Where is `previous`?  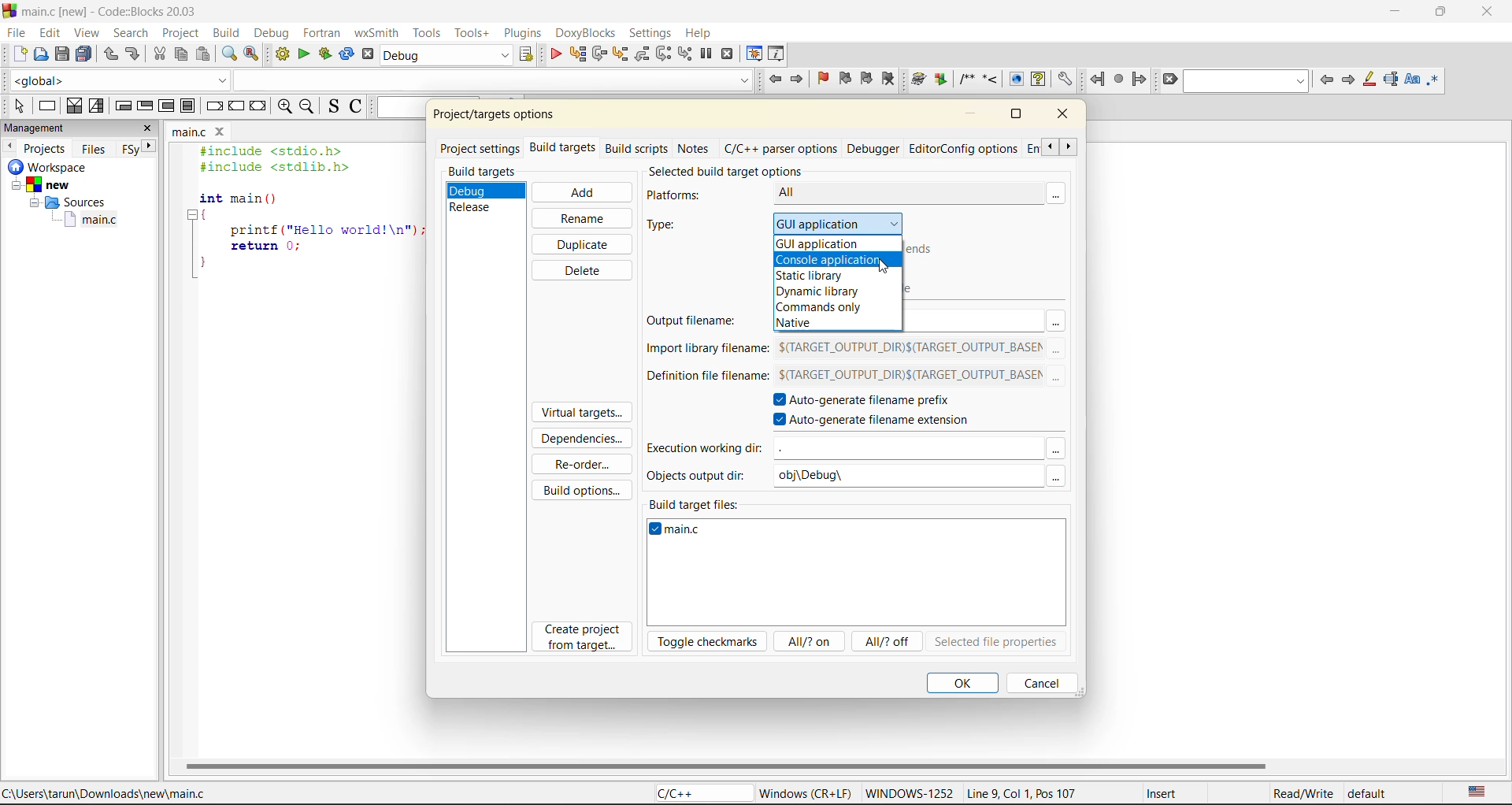
previous is located at coordinates (9, 146).